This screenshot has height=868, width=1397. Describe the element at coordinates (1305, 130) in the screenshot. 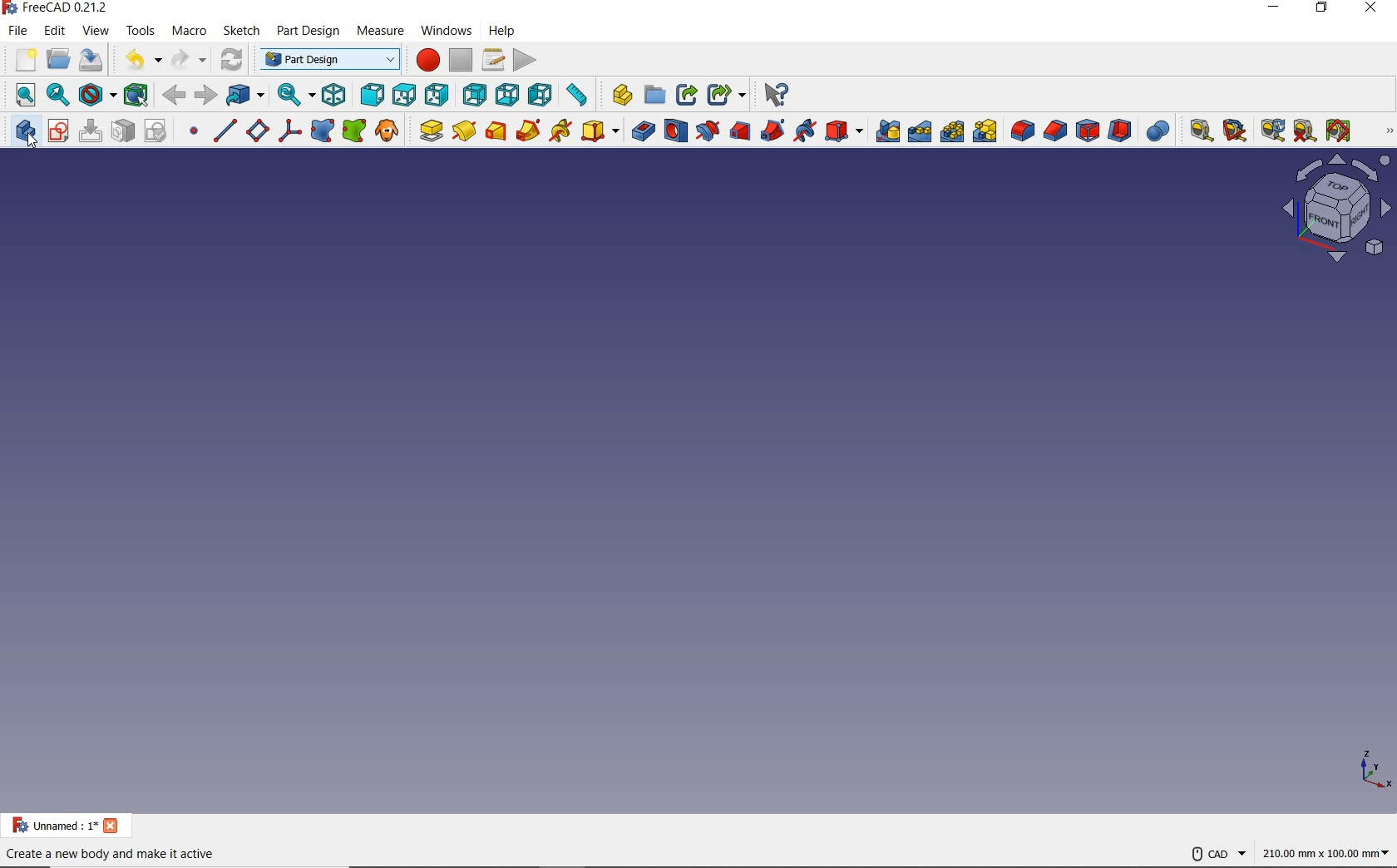

I see `TOGGLE 3D` at that location.